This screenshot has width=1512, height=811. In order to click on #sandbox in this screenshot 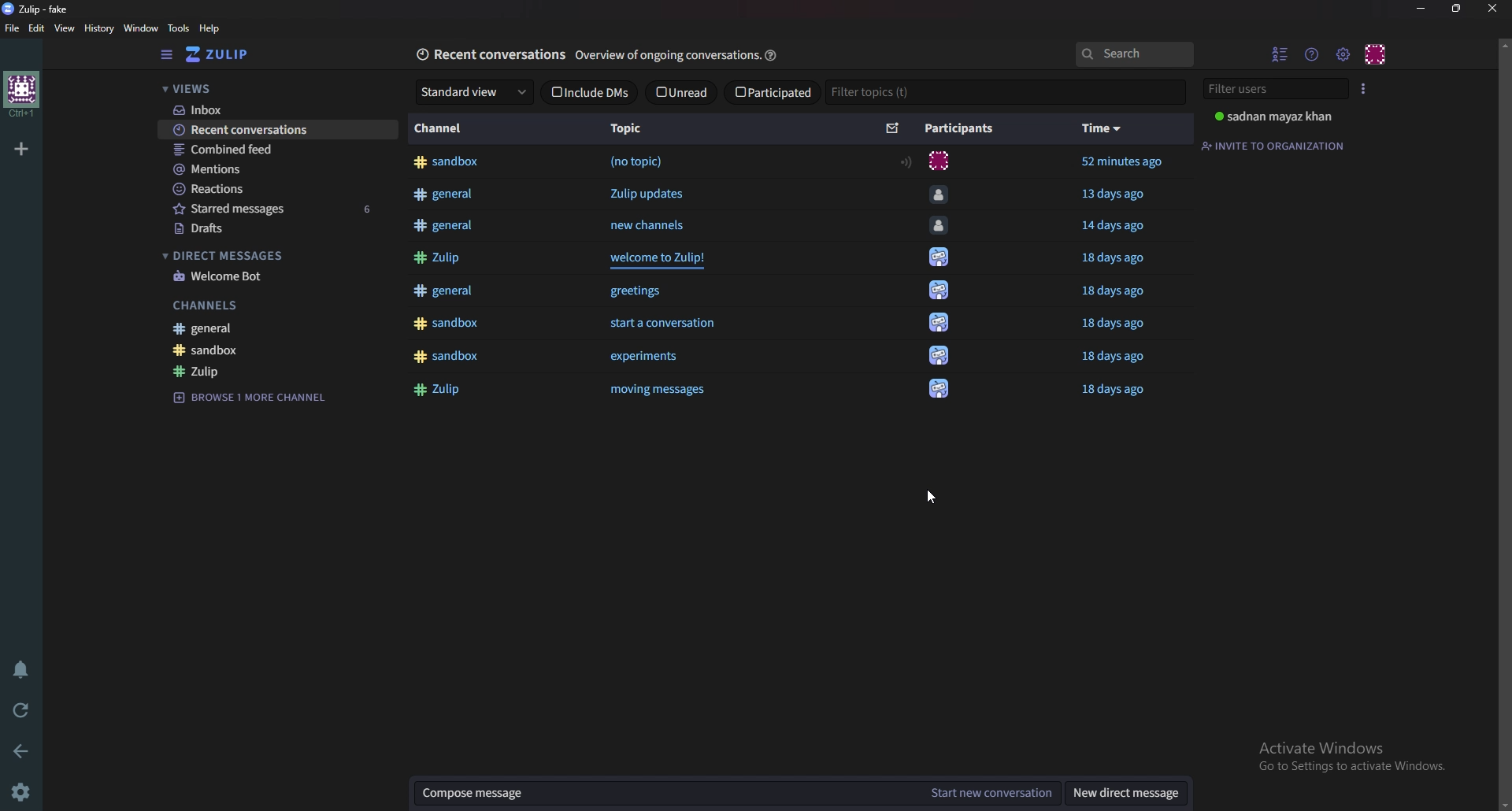, I will do `click(446, 327)`.